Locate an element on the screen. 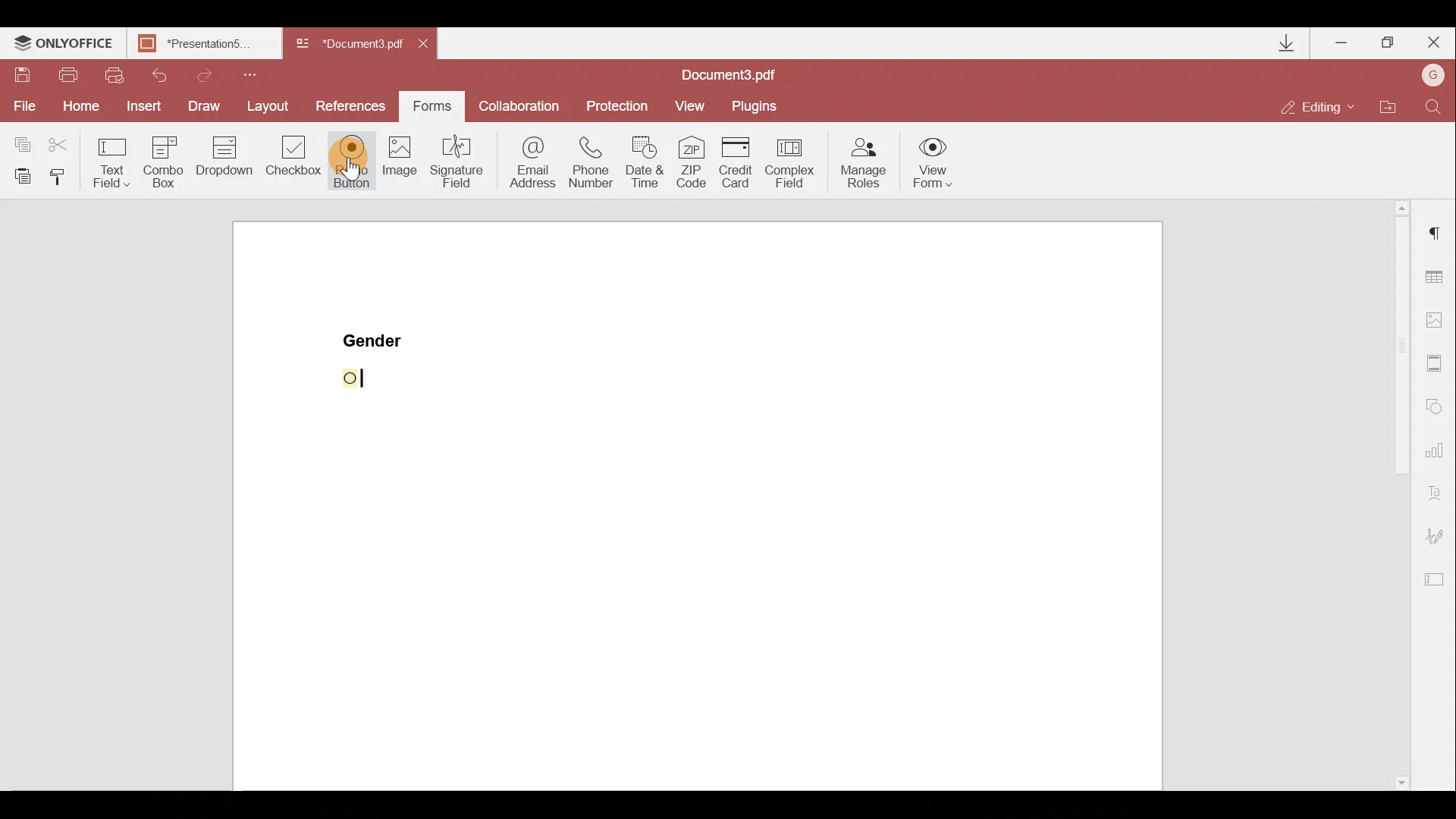 This screenshot has height=819, width=1456. Email address is located at coordinates (531, 163).